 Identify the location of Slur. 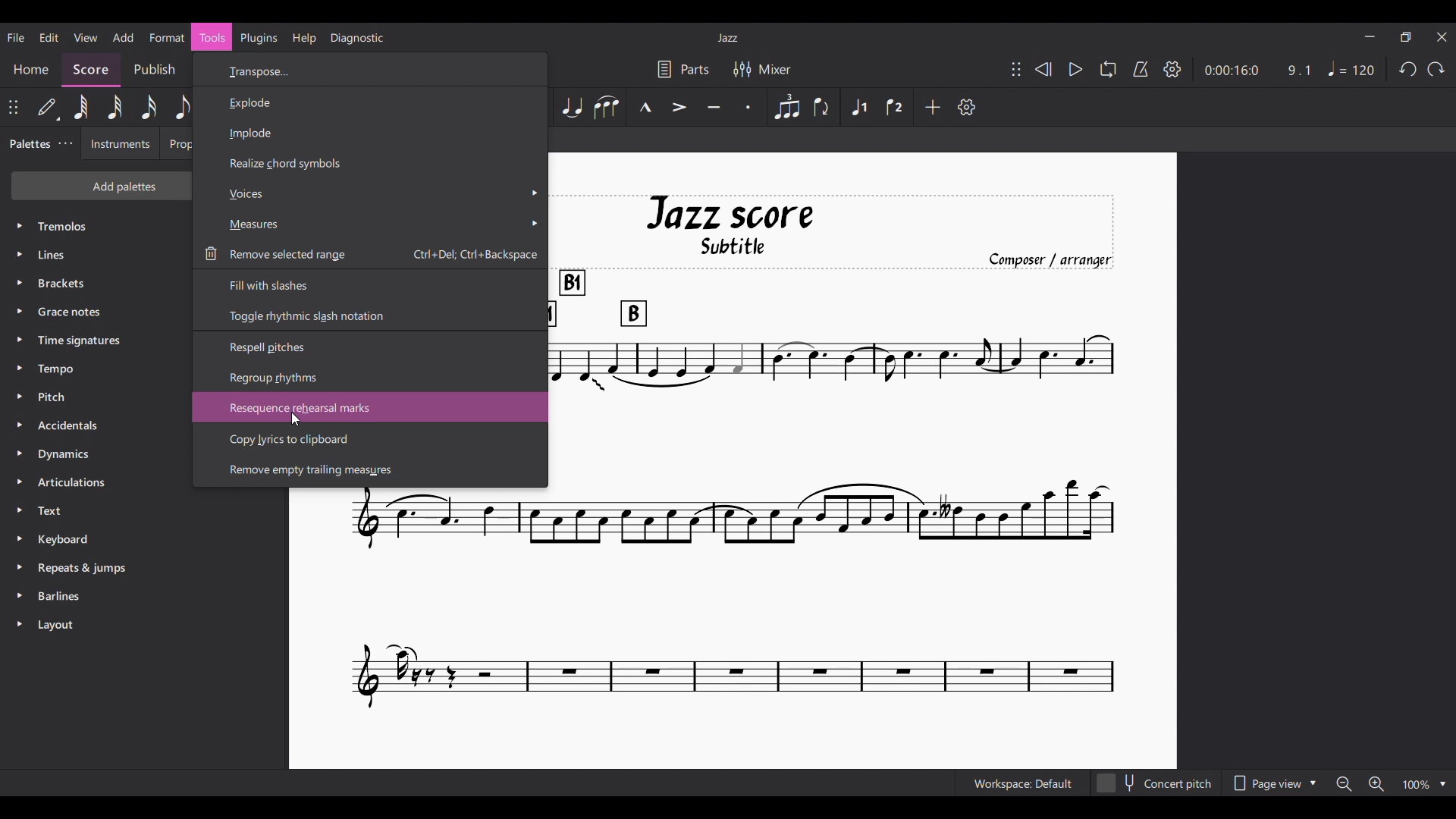
(607, 107).